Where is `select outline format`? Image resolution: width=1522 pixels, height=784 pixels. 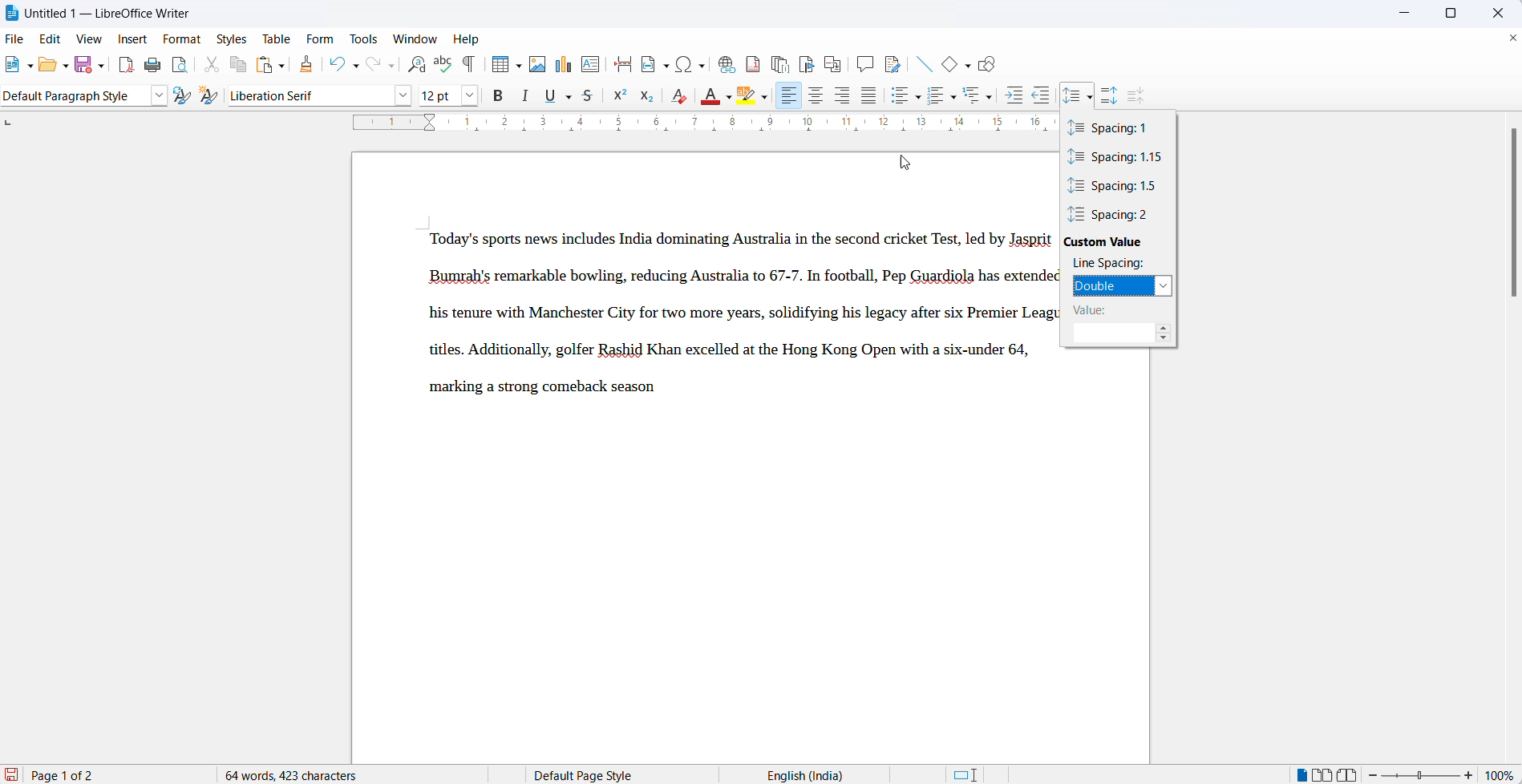
select outline format is located at coordinates (981, 95).